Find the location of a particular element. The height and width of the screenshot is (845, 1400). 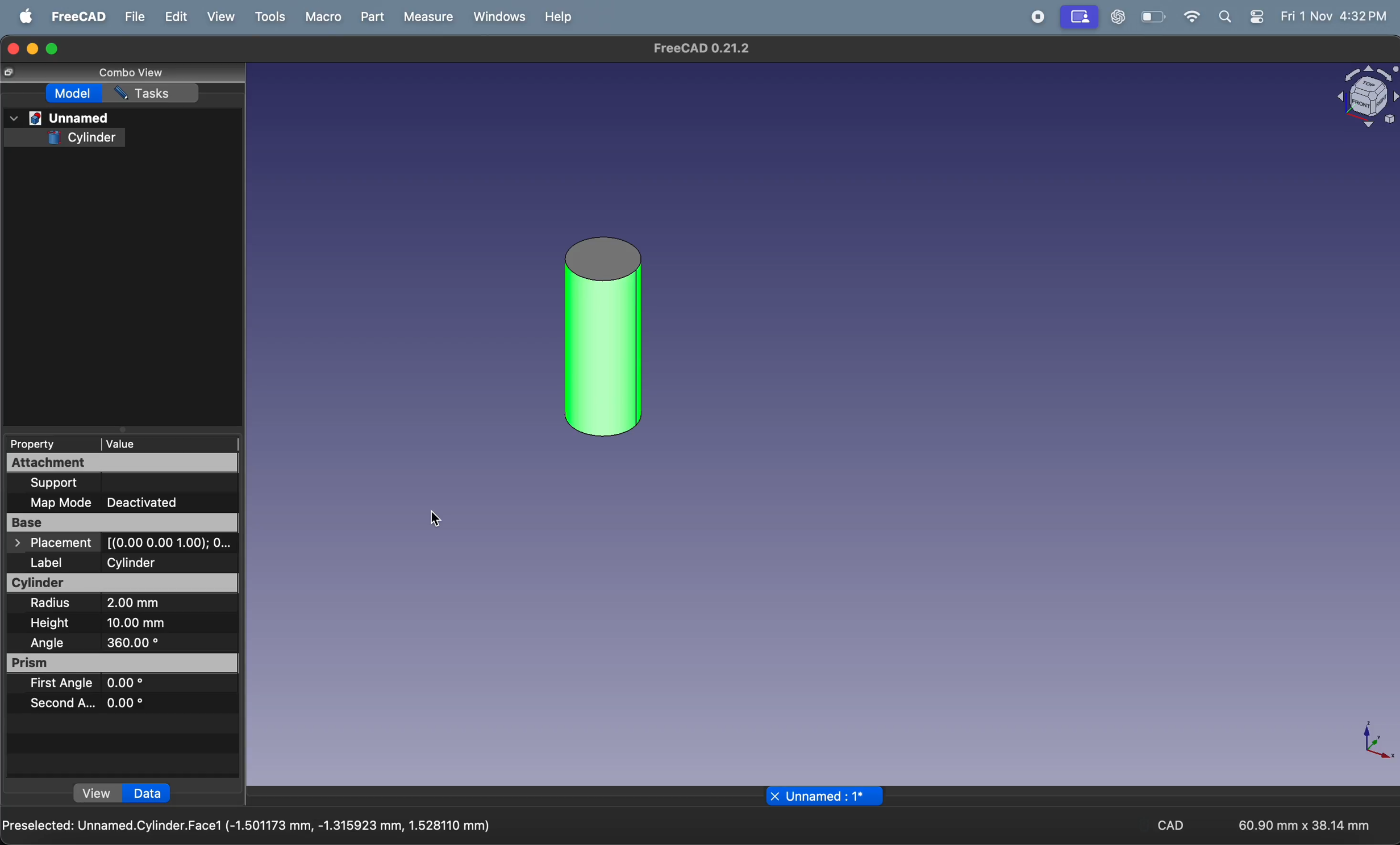

2.00 mm is located at coordinates (153, 605).